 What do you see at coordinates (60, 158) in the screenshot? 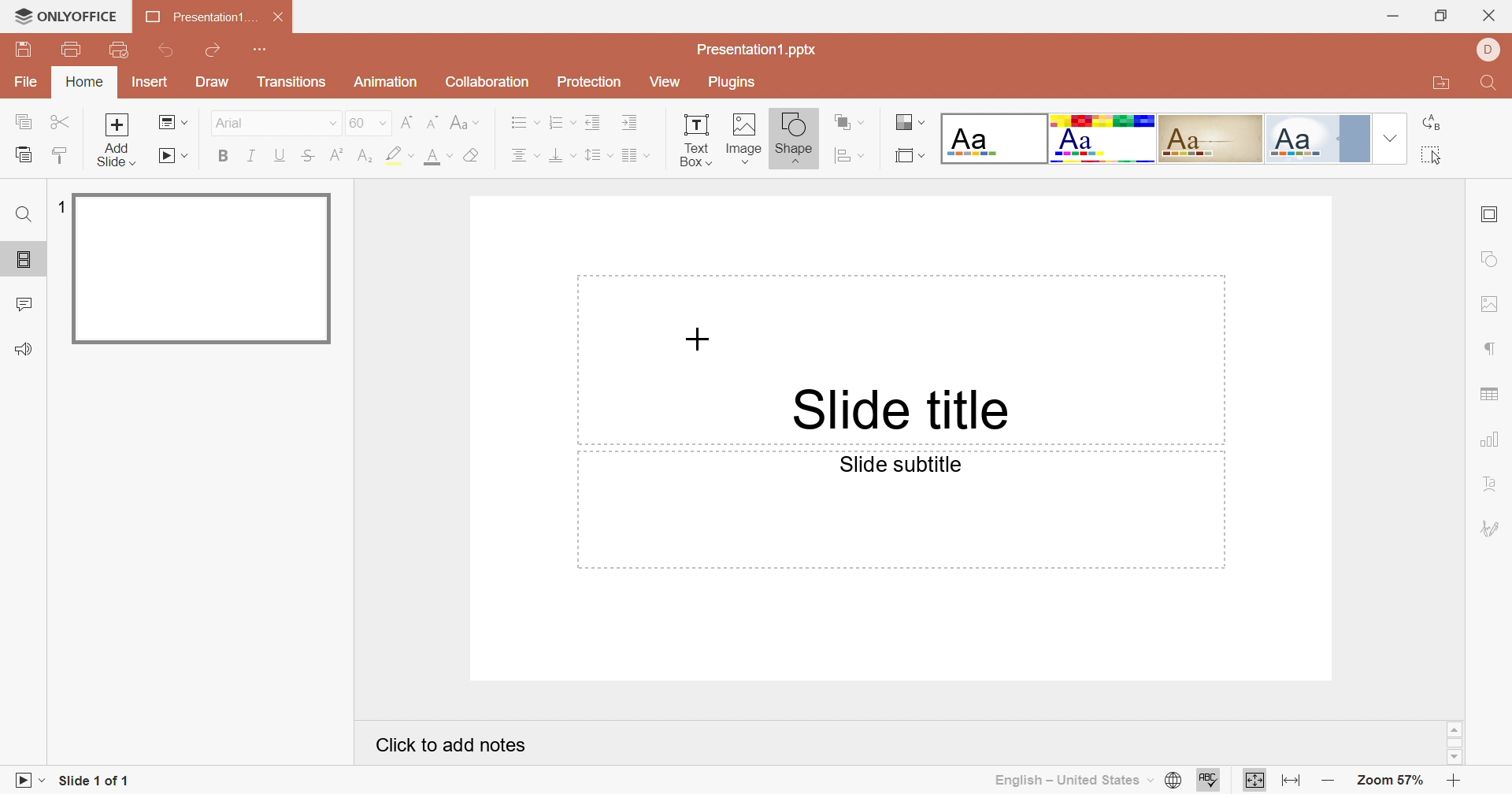
I see `Copy style` at bounding box center [60, 158].